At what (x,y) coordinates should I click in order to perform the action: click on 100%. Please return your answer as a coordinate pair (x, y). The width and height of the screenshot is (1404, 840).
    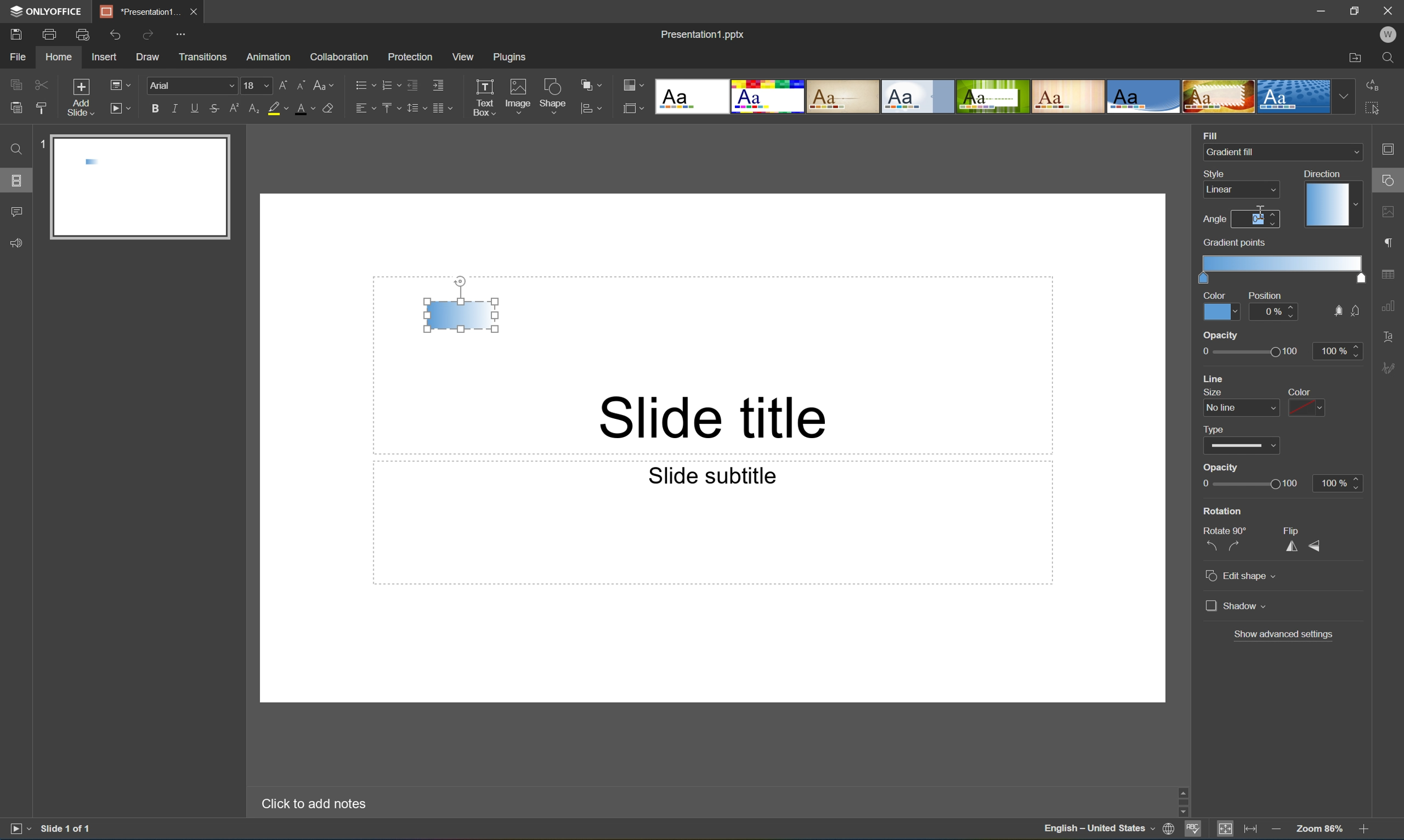
    Looking at the image, I should click on (1338, 482).